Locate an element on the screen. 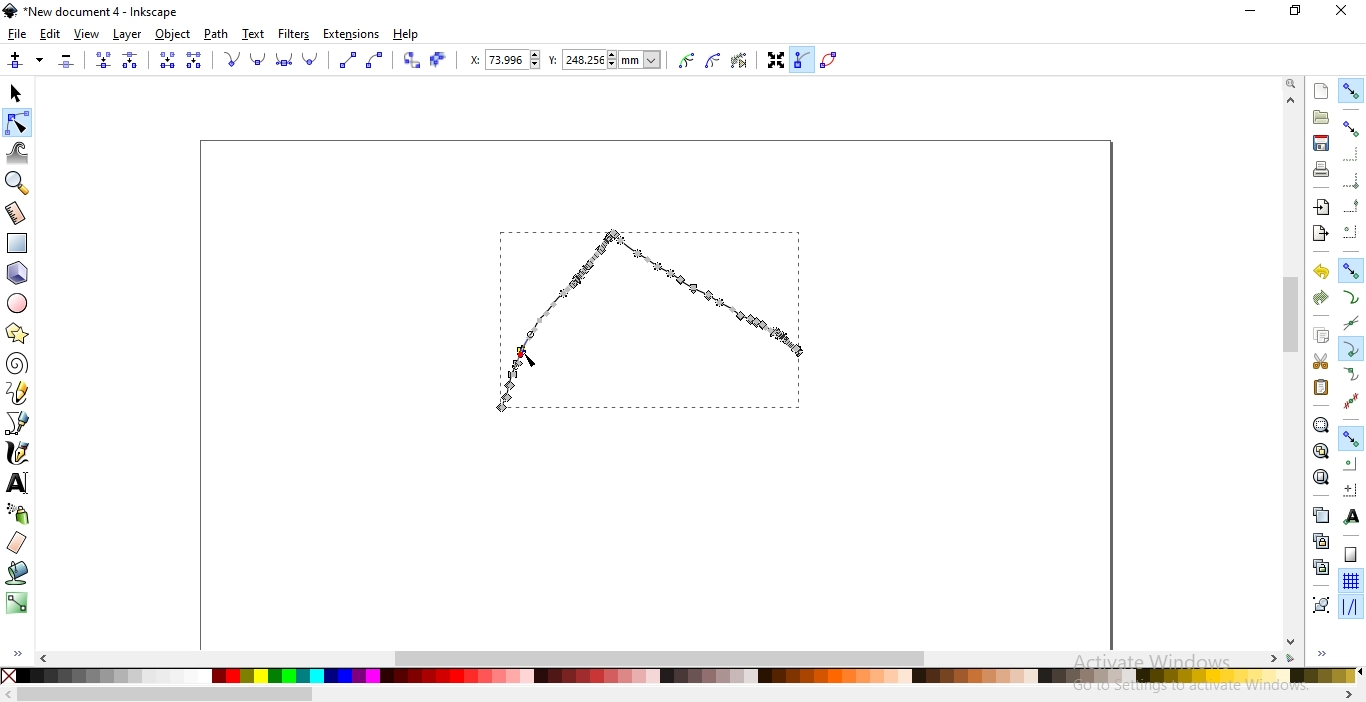 The height and width of the screenshot is (702, 1366). make selected nodes corner is located at coordinates (231, 59).